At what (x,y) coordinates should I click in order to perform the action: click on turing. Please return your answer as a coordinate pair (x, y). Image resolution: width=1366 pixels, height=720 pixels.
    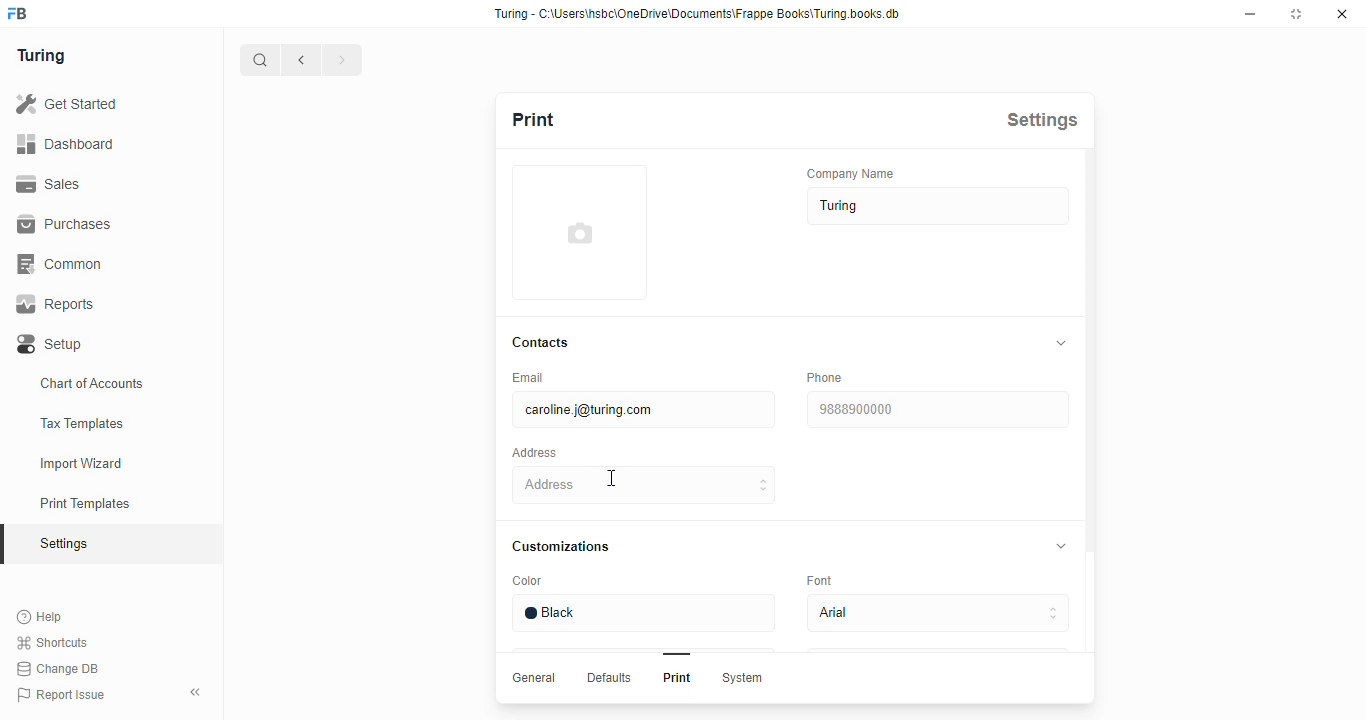
    Looking at the image, I should click on (939, 206).